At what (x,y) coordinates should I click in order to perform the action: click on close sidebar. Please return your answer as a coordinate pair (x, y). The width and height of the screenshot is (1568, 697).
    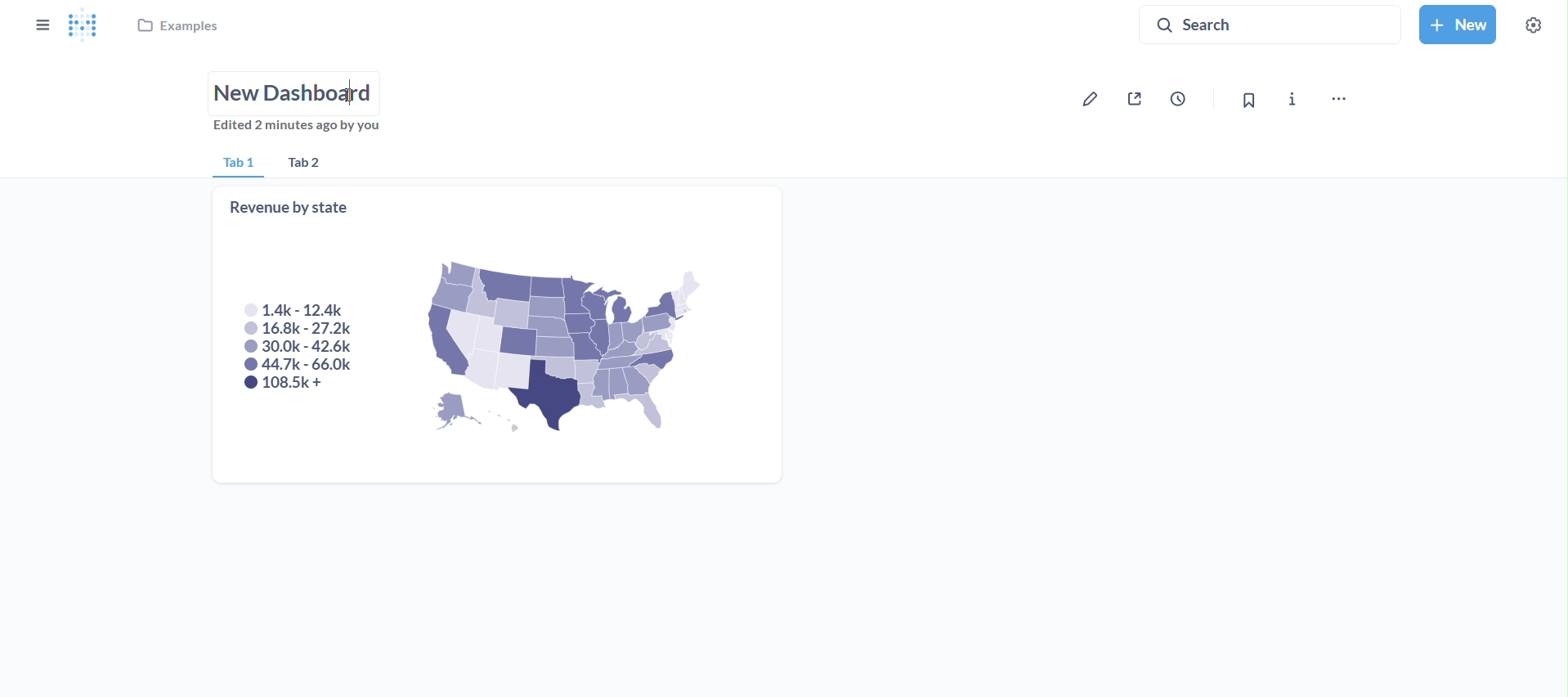
    Looking at the image, I should click on (41, 25).